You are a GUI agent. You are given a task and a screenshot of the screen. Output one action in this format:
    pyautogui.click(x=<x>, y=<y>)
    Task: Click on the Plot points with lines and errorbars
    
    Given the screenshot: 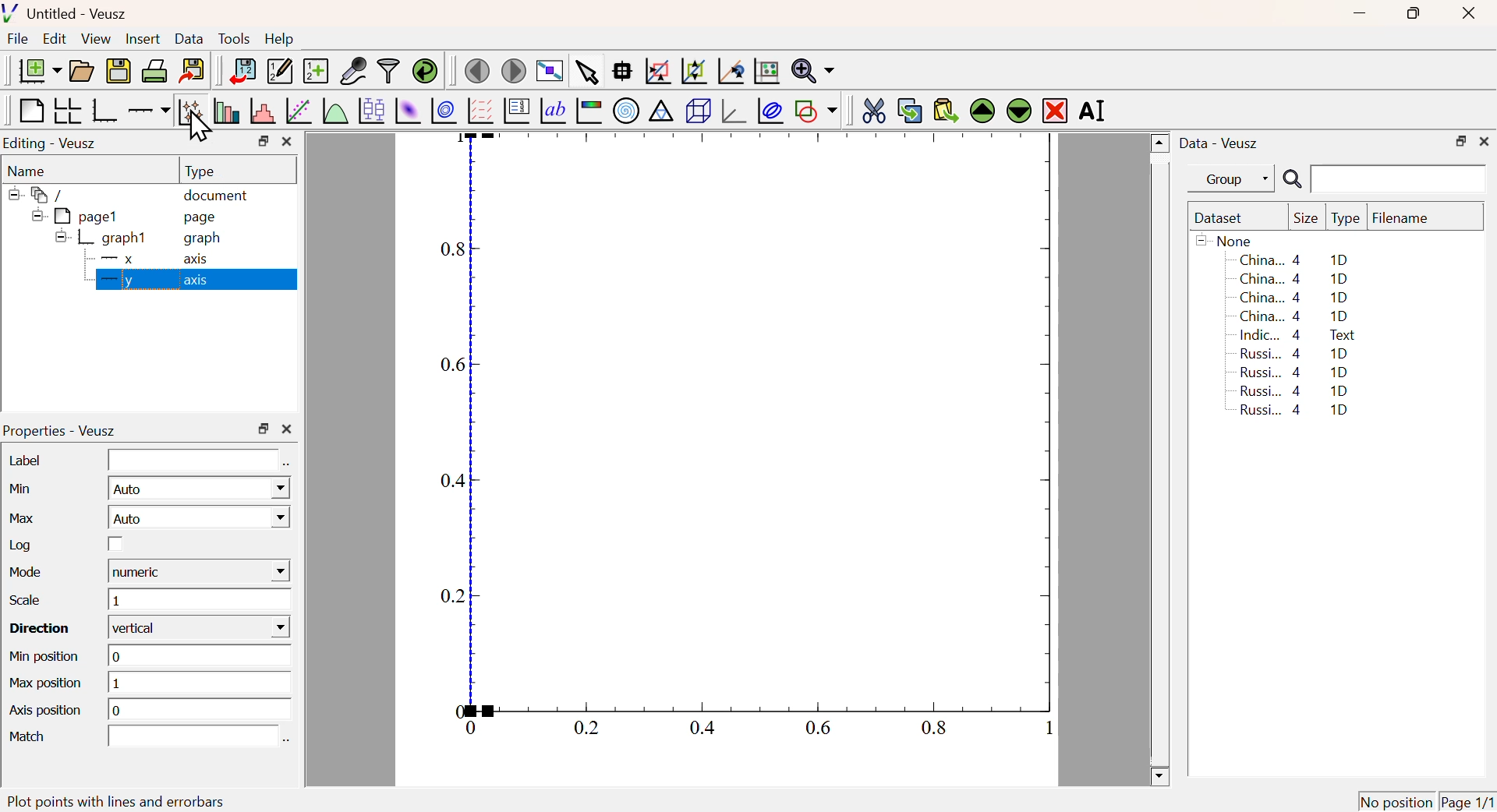 What is the action you would take?
    pyautogui.click(x=192, y=111)
    